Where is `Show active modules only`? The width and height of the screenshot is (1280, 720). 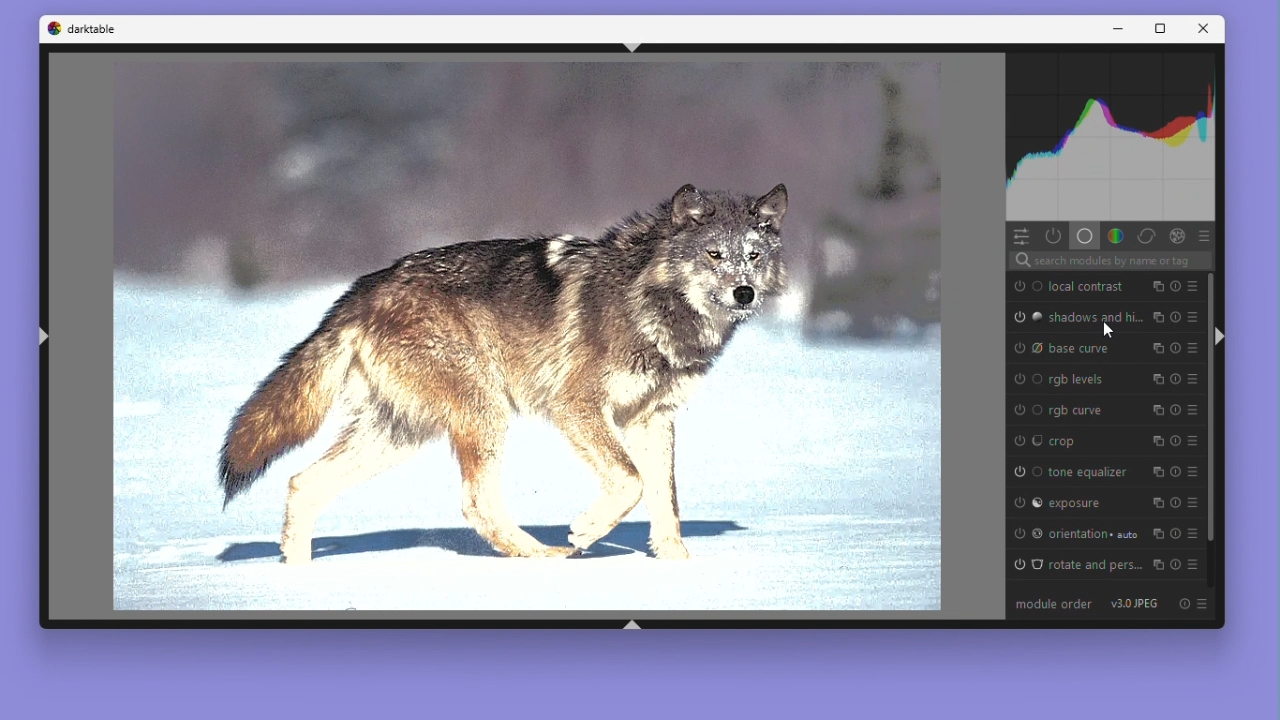 Show active modules only is located at coordinates (1053, 235).